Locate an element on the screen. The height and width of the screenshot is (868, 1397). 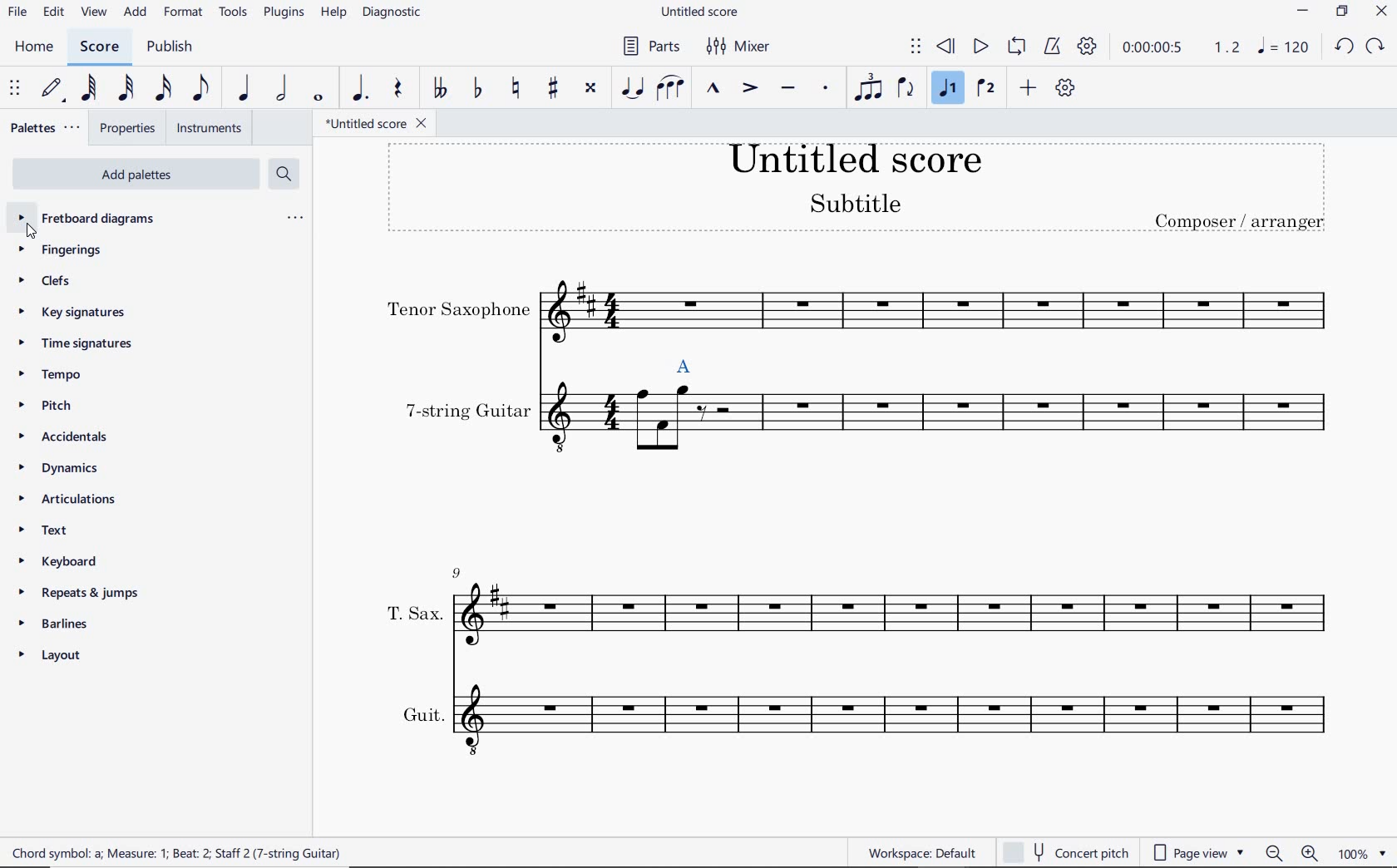
ZOOM FACTOR is located at coordinates (1362, 853).